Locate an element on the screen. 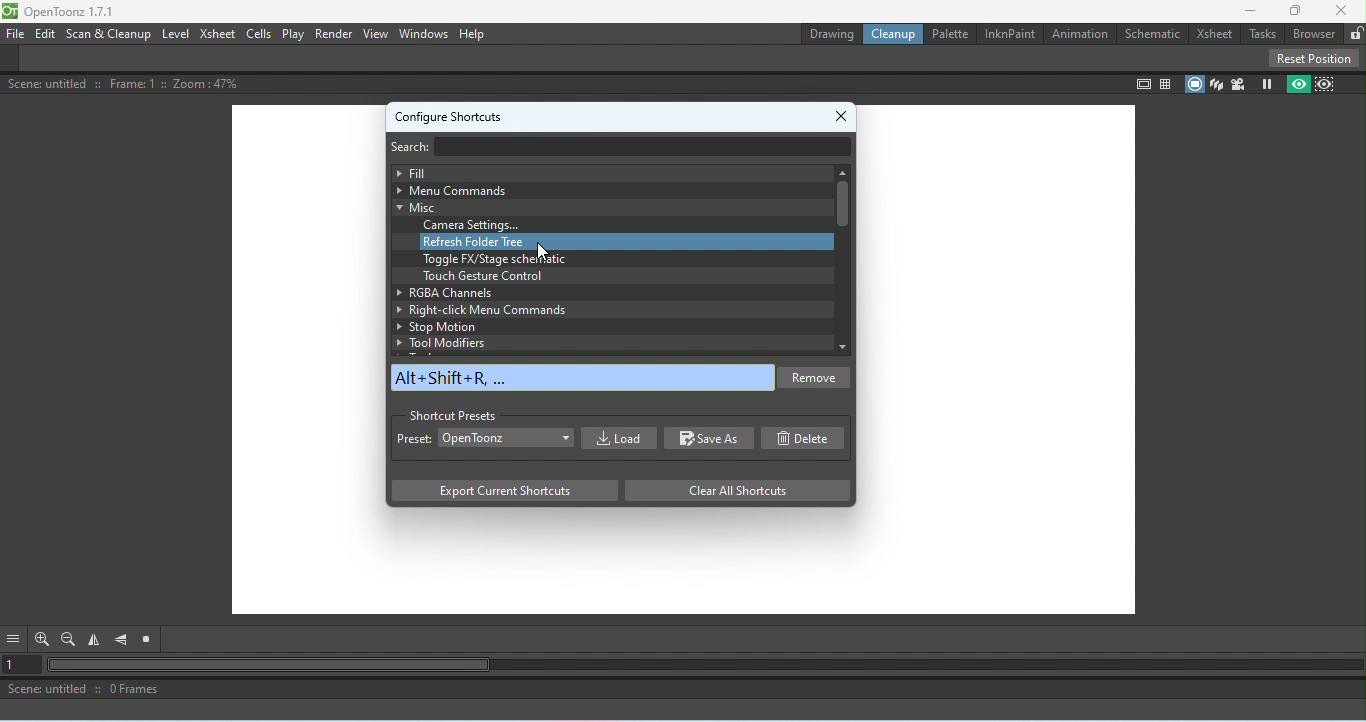 Image resolution: width=1366 pixels, height=722 pixels. Refresh folder tree is located at coordinates (626, 242).